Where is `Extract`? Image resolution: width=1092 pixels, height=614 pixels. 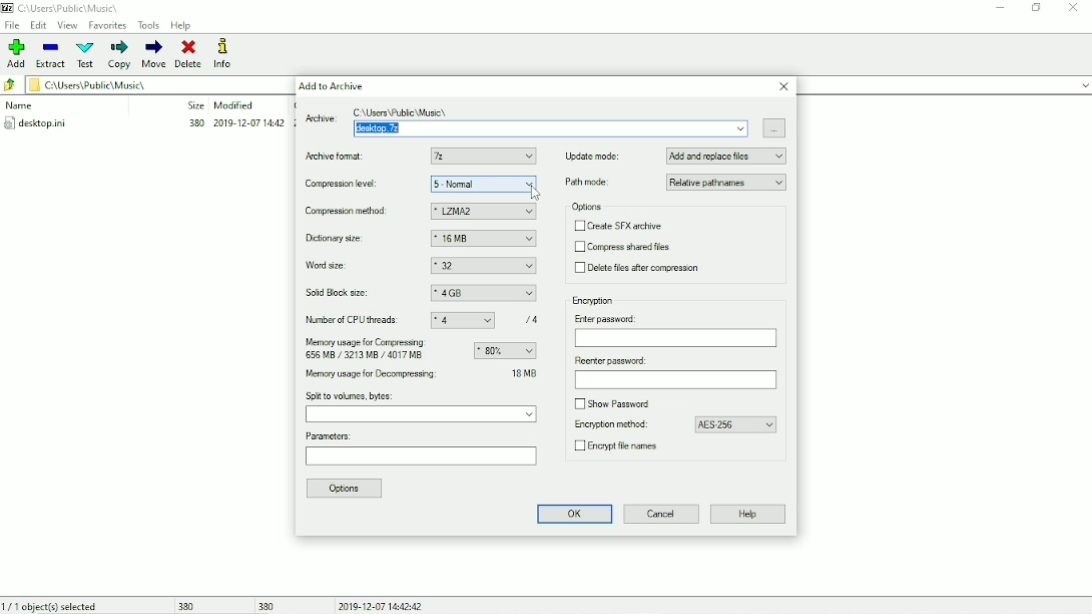 Extract is located at coordinates (50, 54).